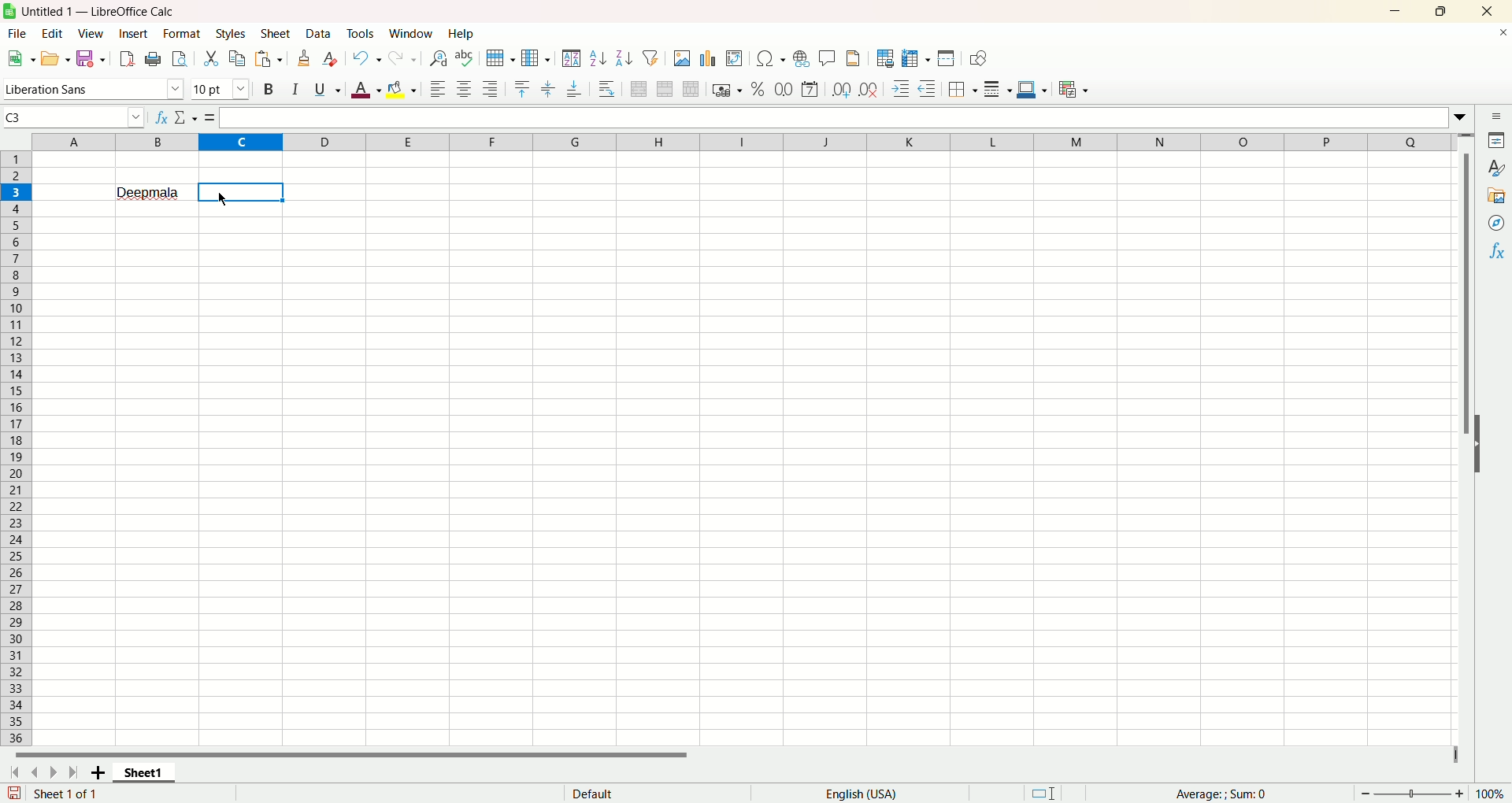 The height and width of the screenshot is (803, 1512). What do you see at coordinates (744, 141) in the screenshot?
I see `Column` at bounding box center [744, 141].